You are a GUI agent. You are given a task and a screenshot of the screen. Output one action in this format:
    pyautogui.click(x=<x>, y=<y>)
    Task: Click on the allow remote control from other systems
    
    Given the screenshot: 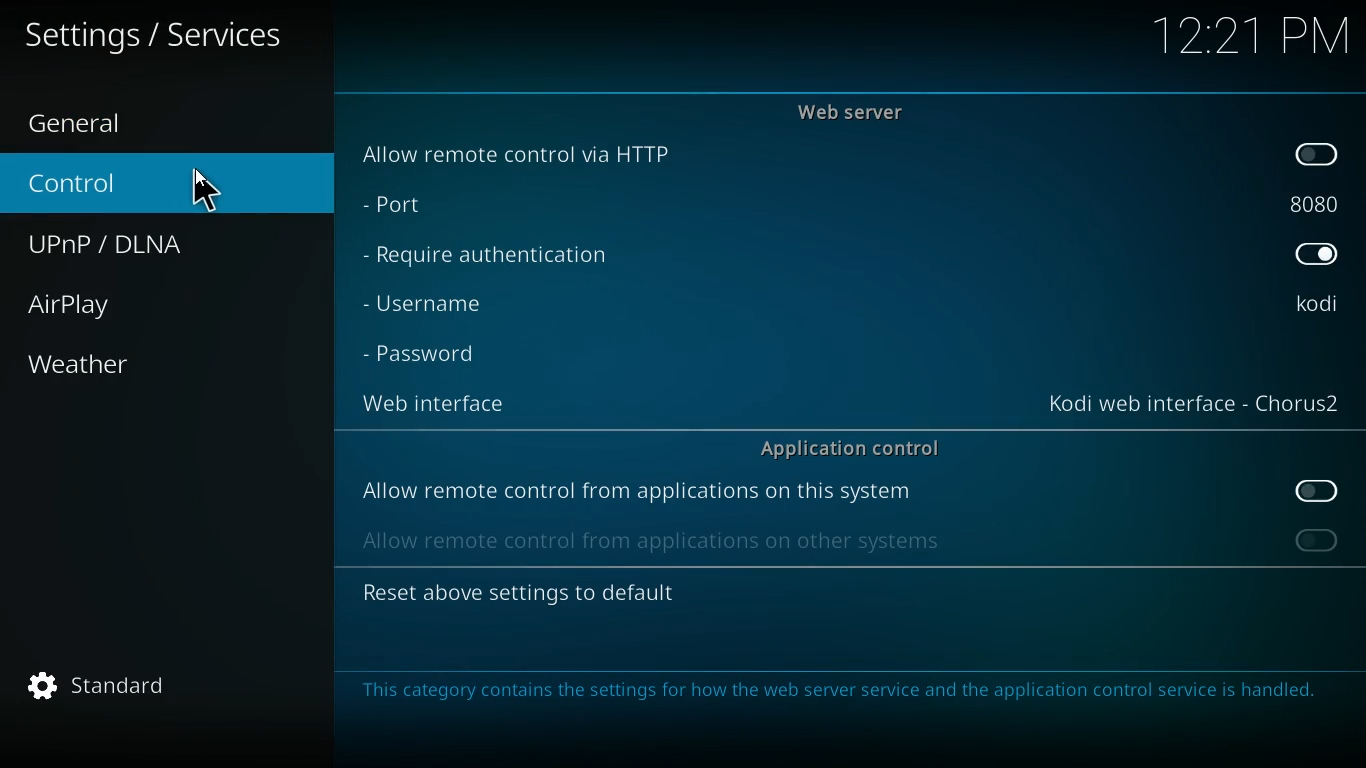 What is the action you would take?
    pyautogui.click(x=653, y=540)
    